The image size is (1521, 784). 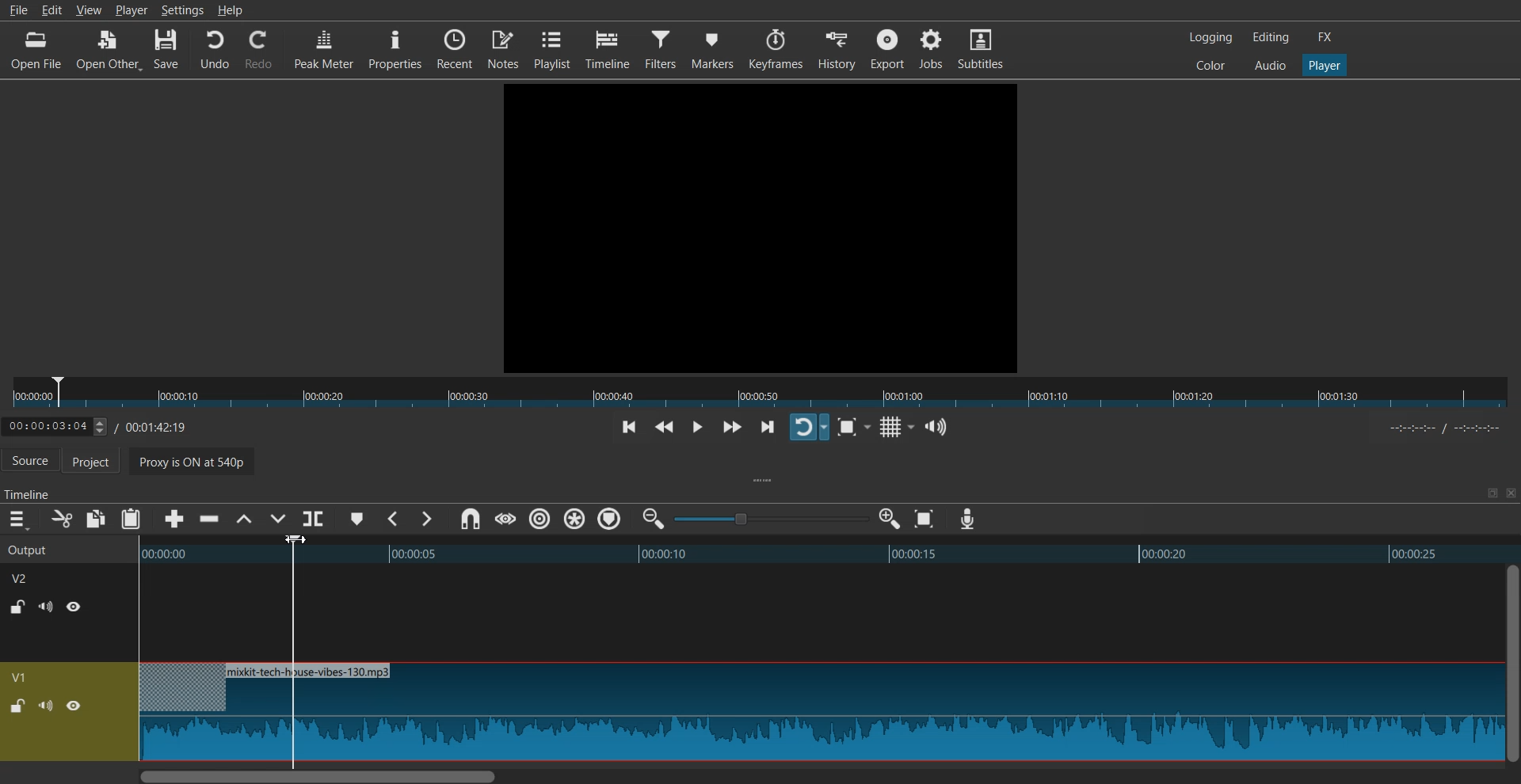 I want to click on Toggle play or pause, so click(x=696, y=428).